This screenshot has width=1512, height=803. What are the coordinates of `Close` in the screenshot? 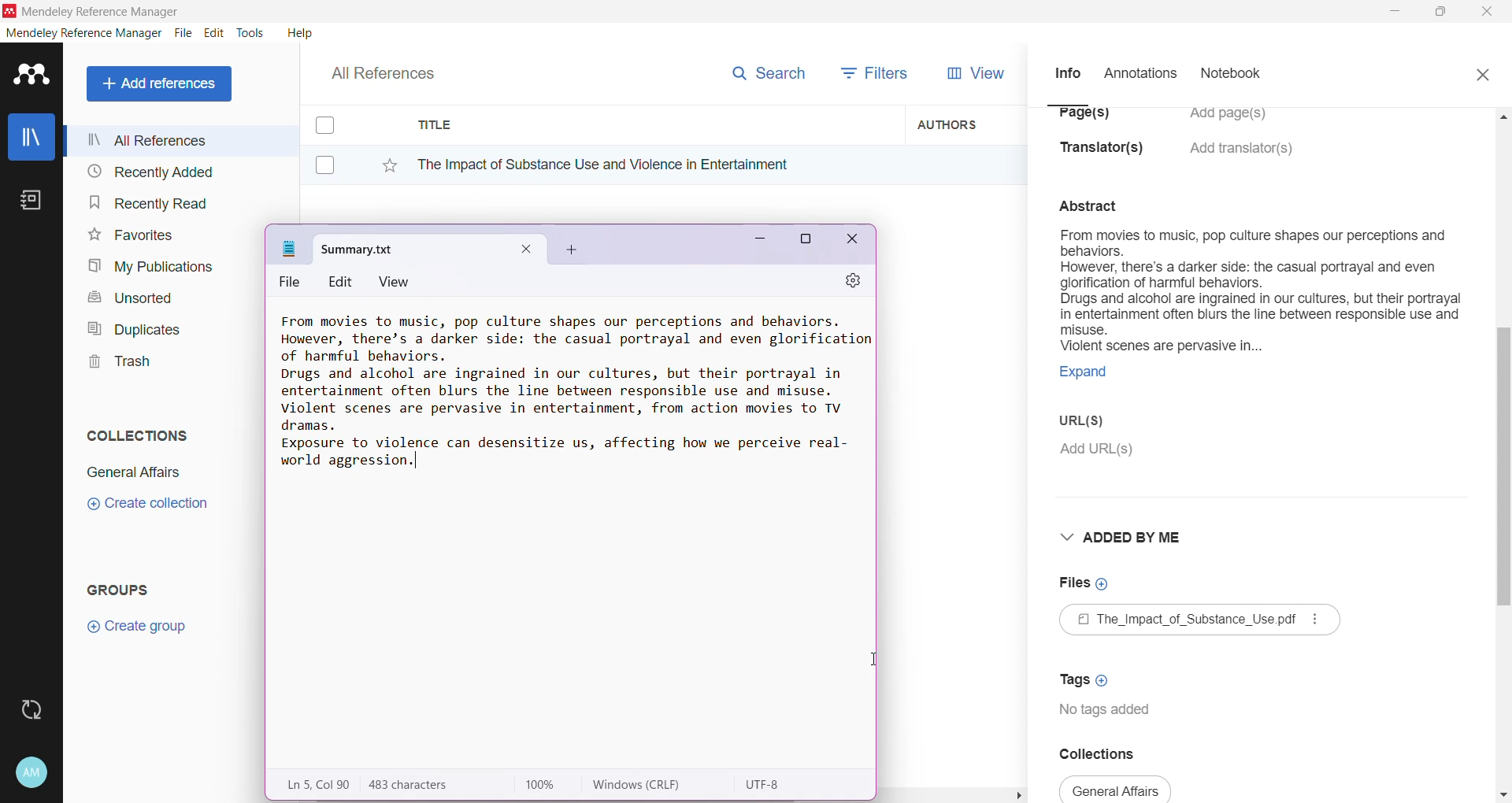 It's located at (854, 242).